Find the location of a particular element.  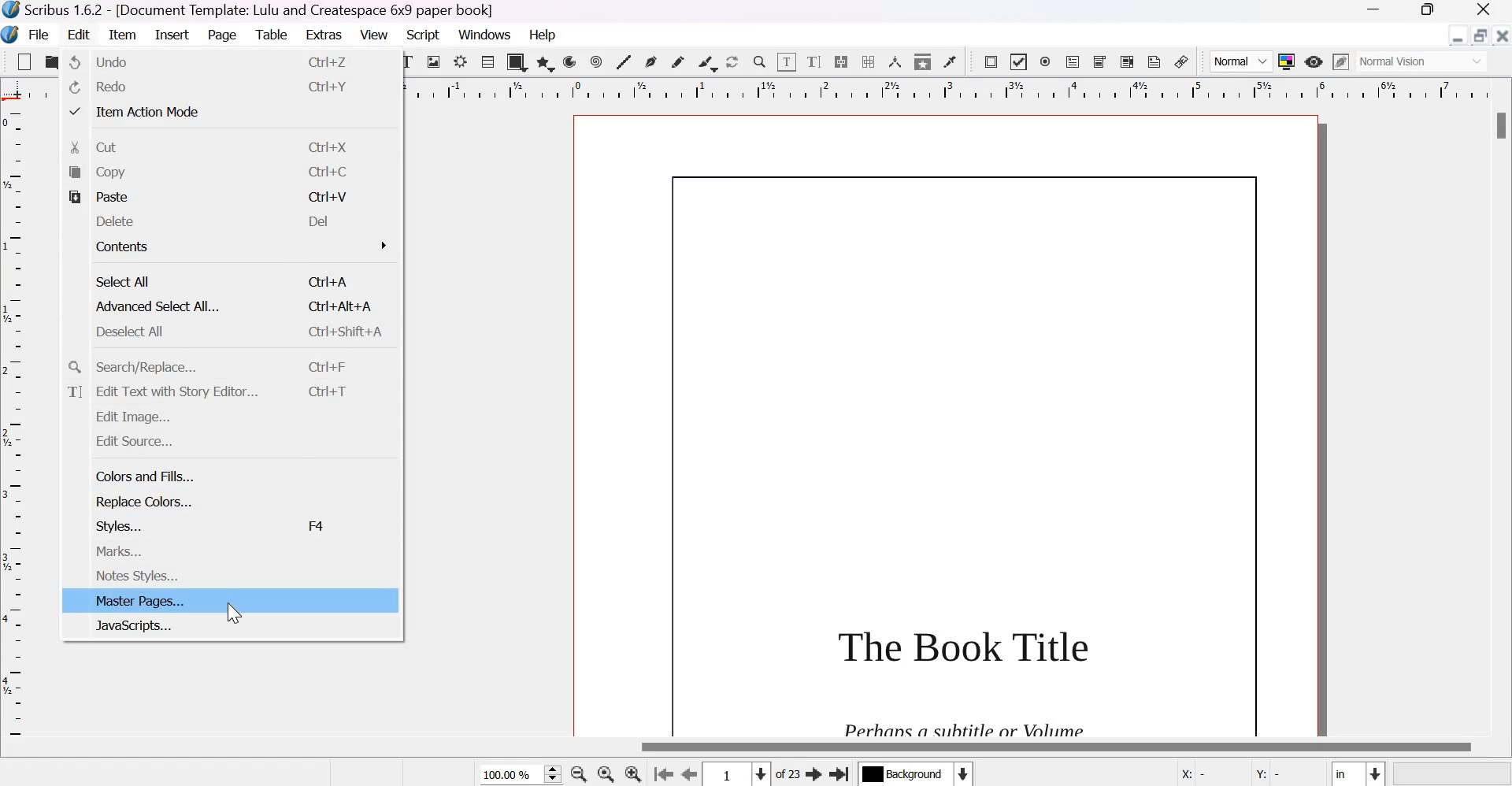

current zoom level is located at coordinates (519, 775).